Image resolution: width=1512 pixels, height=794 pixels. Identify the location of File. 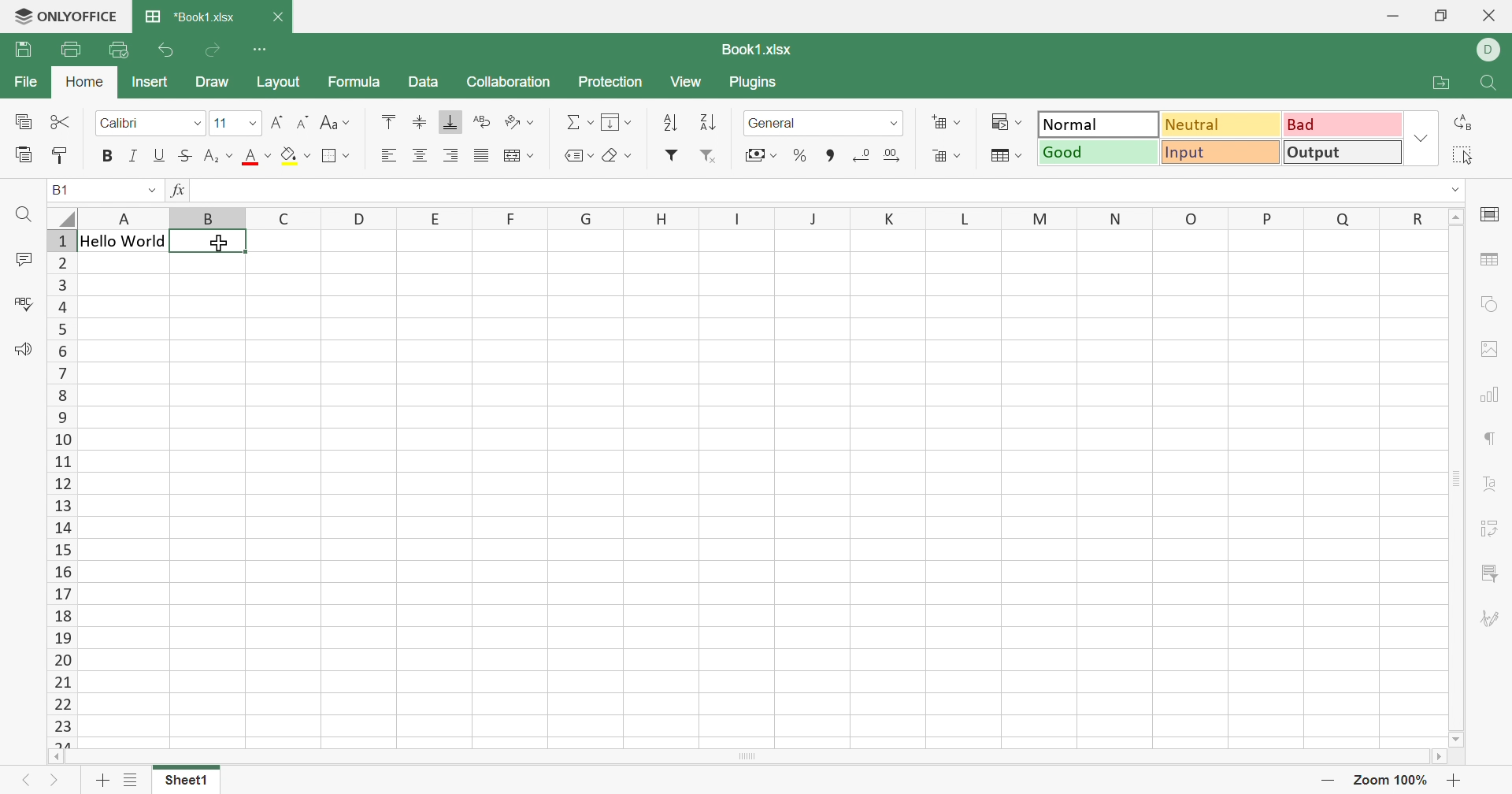
(29, 80).